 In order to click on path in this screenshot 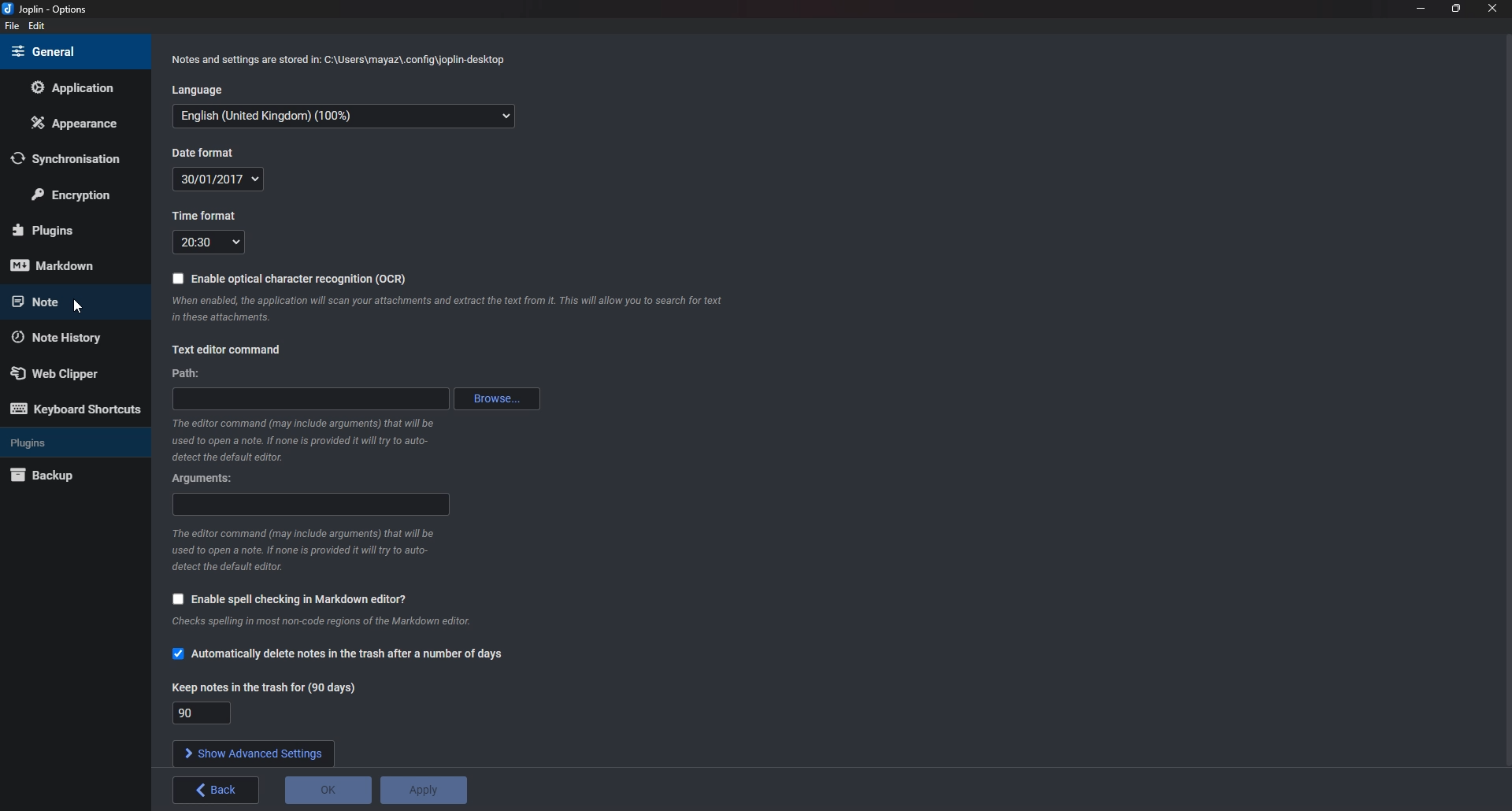, I will do `click(190, 374)`.